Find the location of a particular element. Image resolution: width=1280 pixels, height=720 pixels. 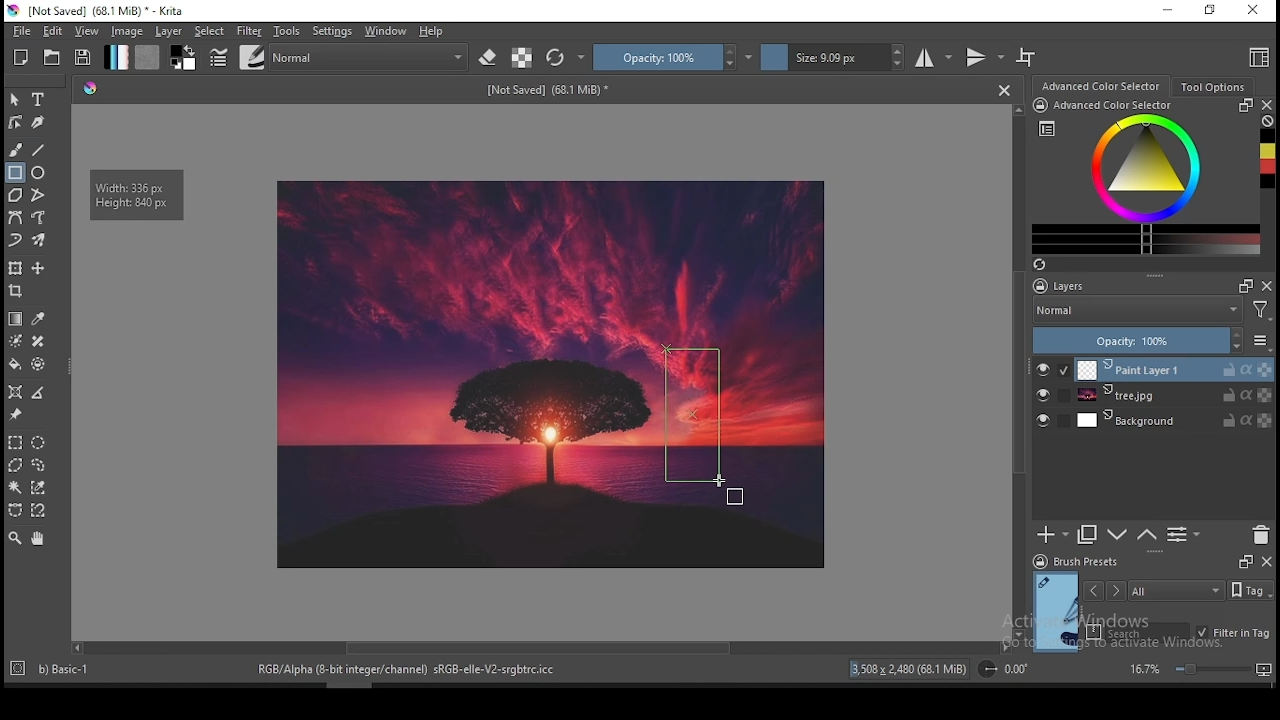

wrap around mode is located at coordinates (1027, 57).